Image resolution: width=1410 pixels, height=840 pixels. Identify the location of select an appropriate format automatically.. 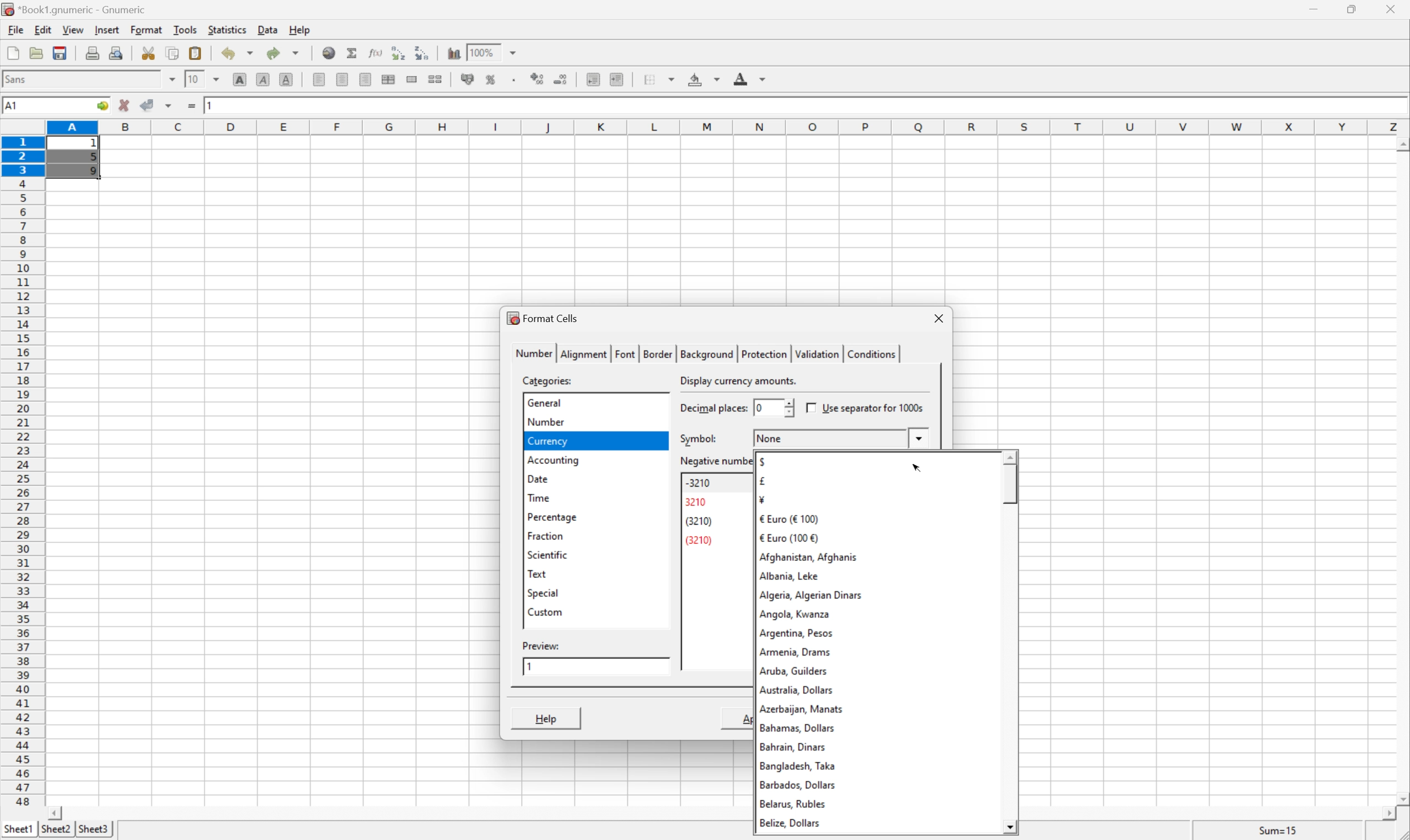
(779, 381).